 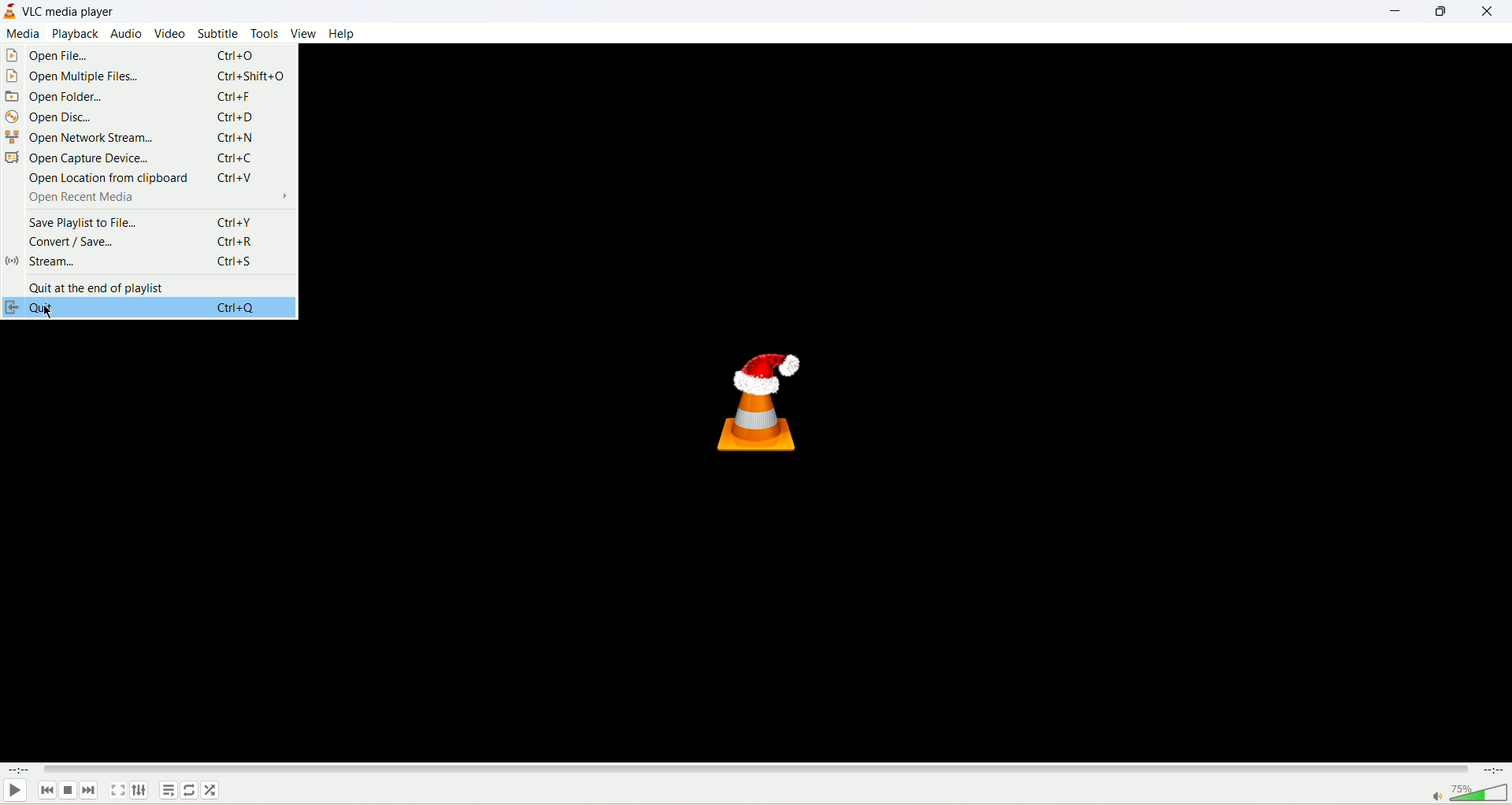 I want to click on media, so click(x=23, y=35).